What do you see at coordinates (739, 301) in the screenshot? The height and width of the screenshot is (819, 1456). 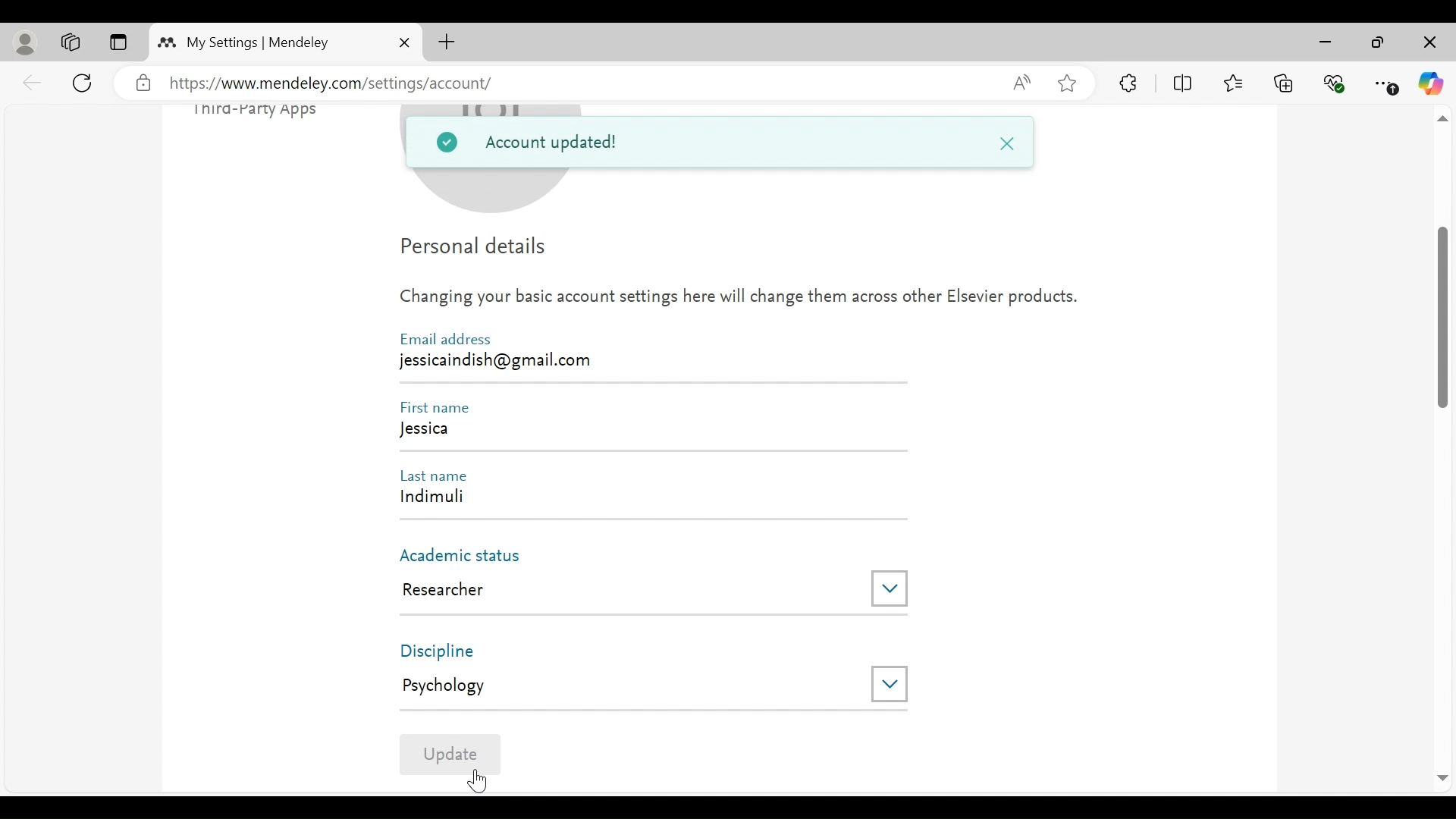 I see `Changing your basic account settings here will change them across other Elsevier products` at bounding box center [739, 301].